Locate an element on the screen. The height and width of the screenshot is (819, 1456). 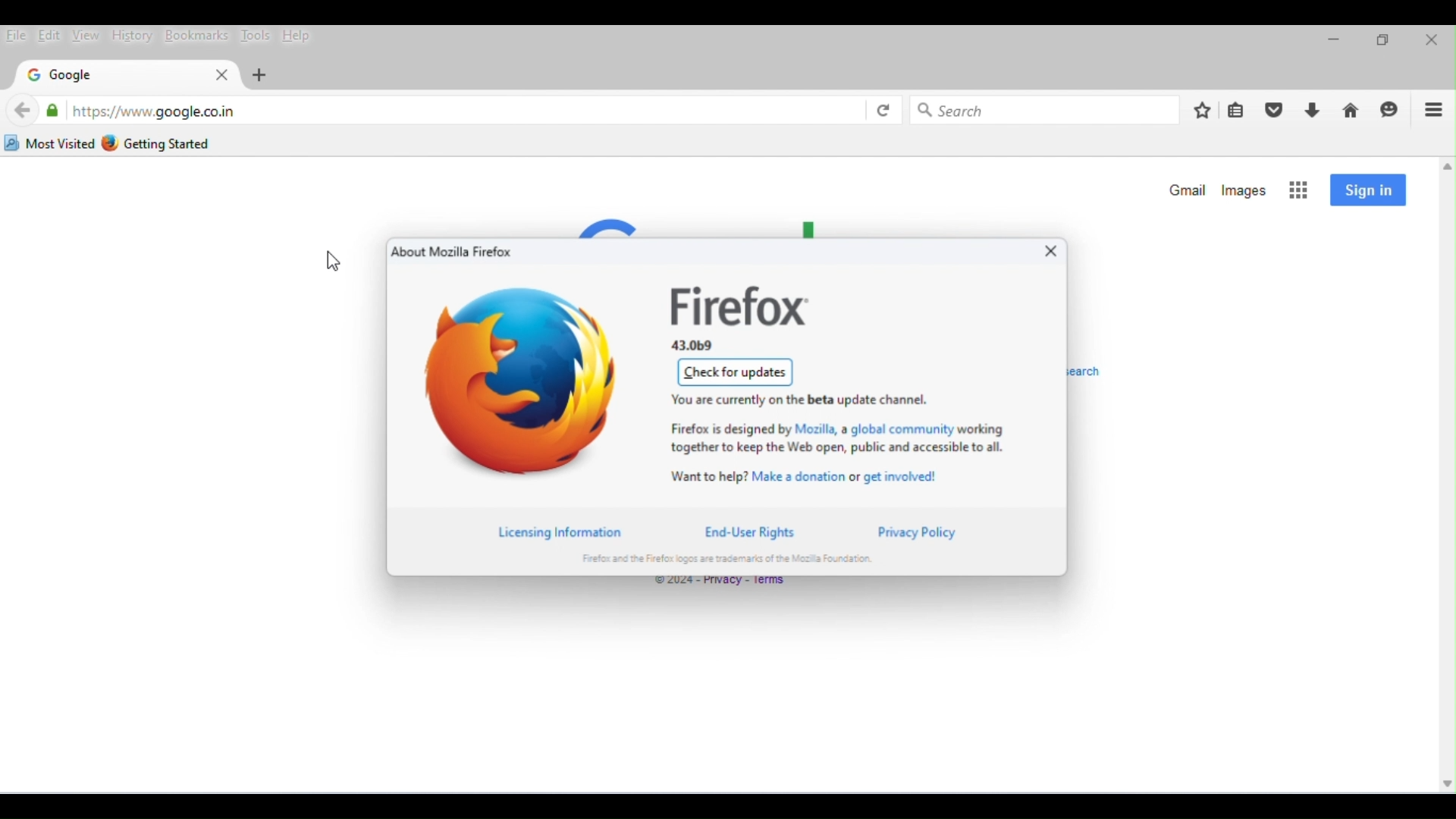
add bookmarks is located at coordinates (1202, 109).